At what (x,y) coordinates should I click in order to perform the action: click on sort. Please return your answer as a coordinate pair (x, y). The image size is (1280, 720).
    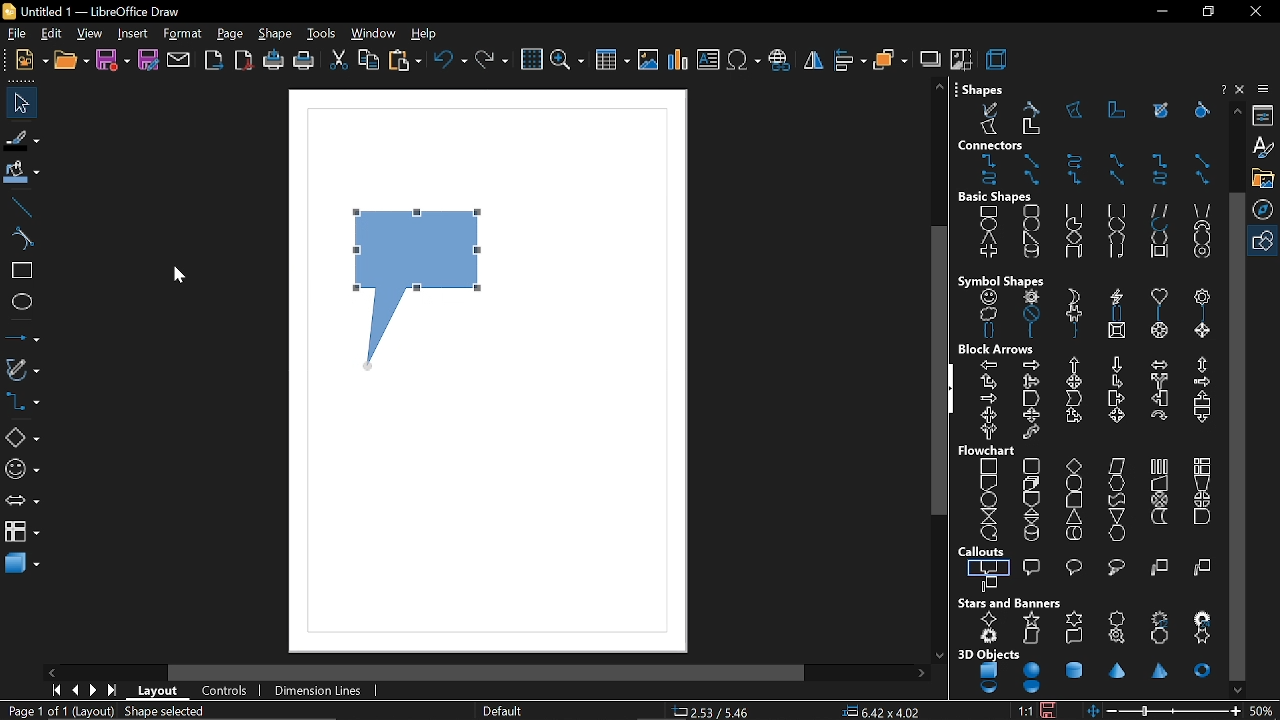
    Looking at the image, I should click on (1030, 516).